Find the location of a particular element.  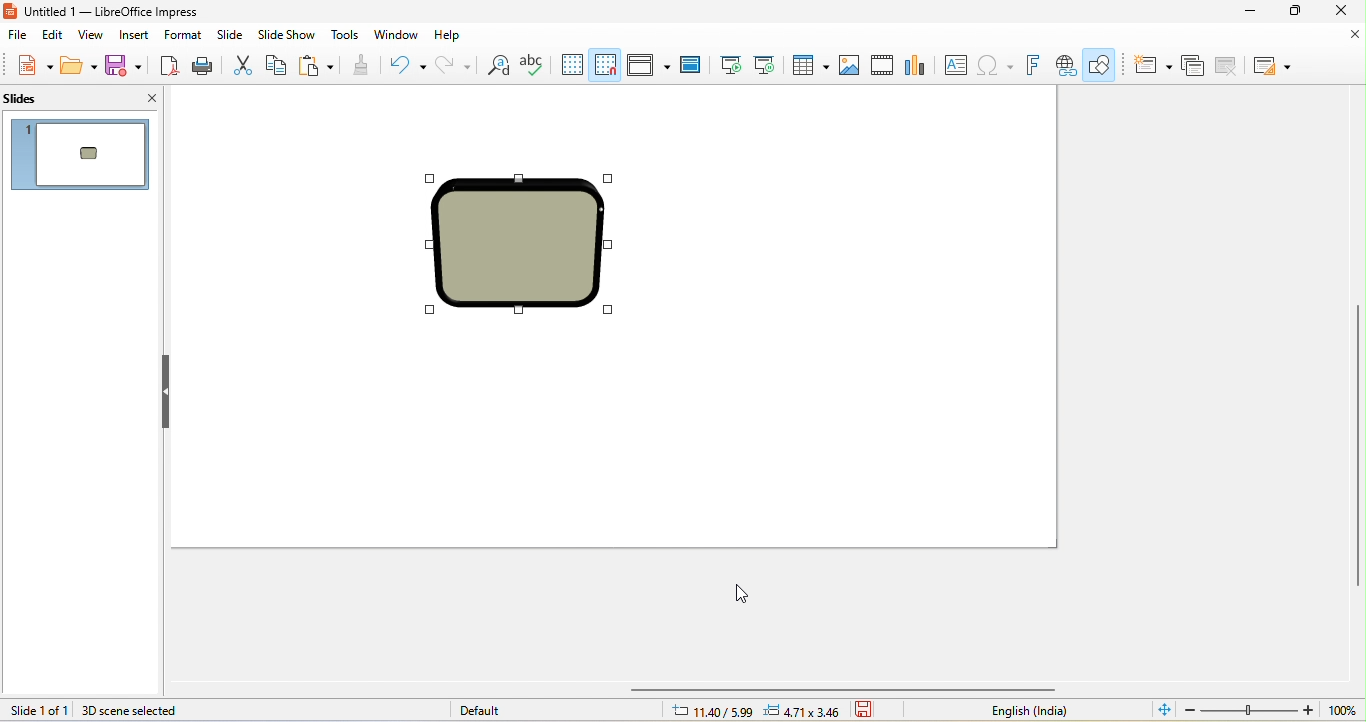

chart is located at coordinates (923, 65).